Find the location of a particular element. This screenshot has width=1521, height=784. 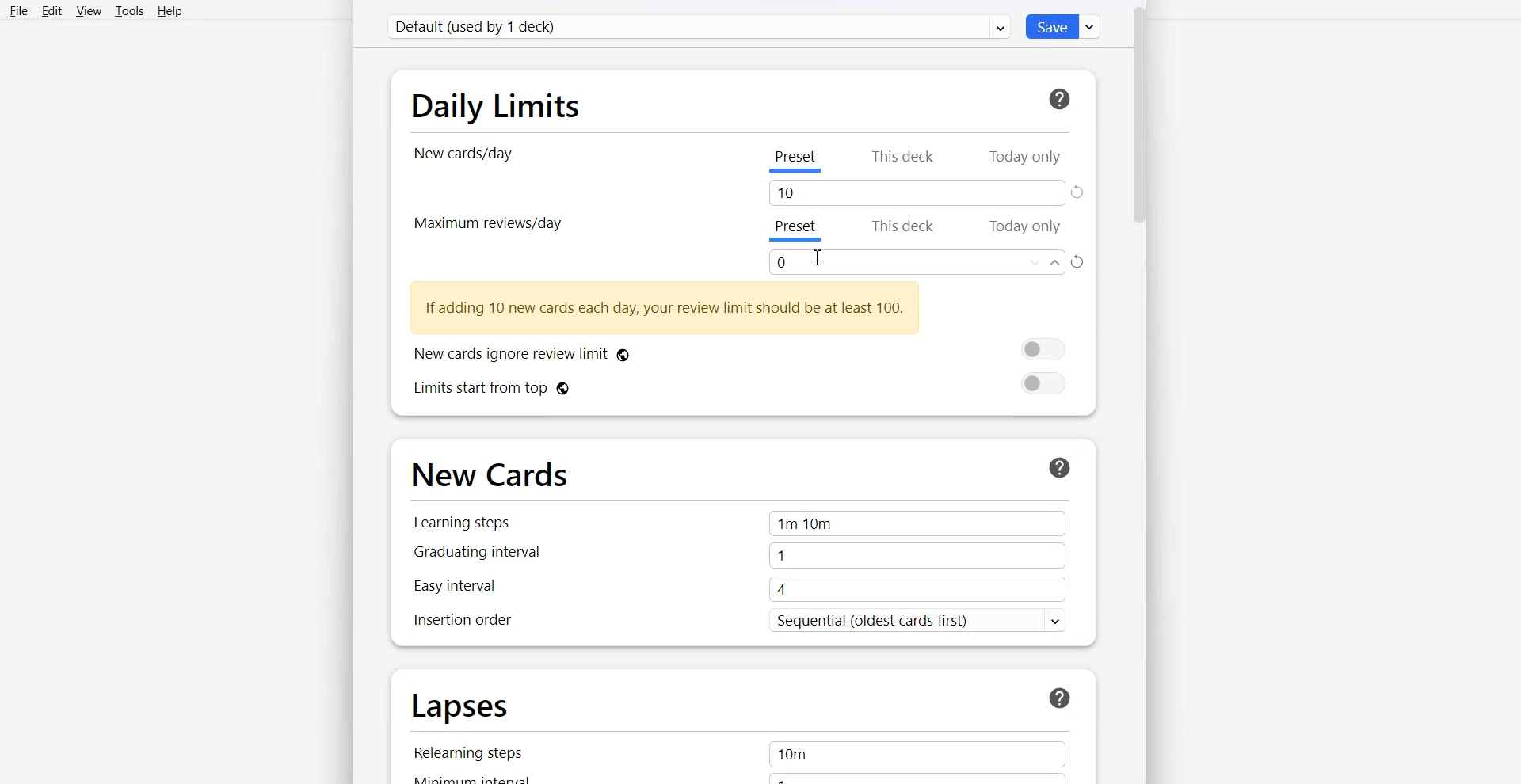

Today Only is located at coordinates (1027, 229).